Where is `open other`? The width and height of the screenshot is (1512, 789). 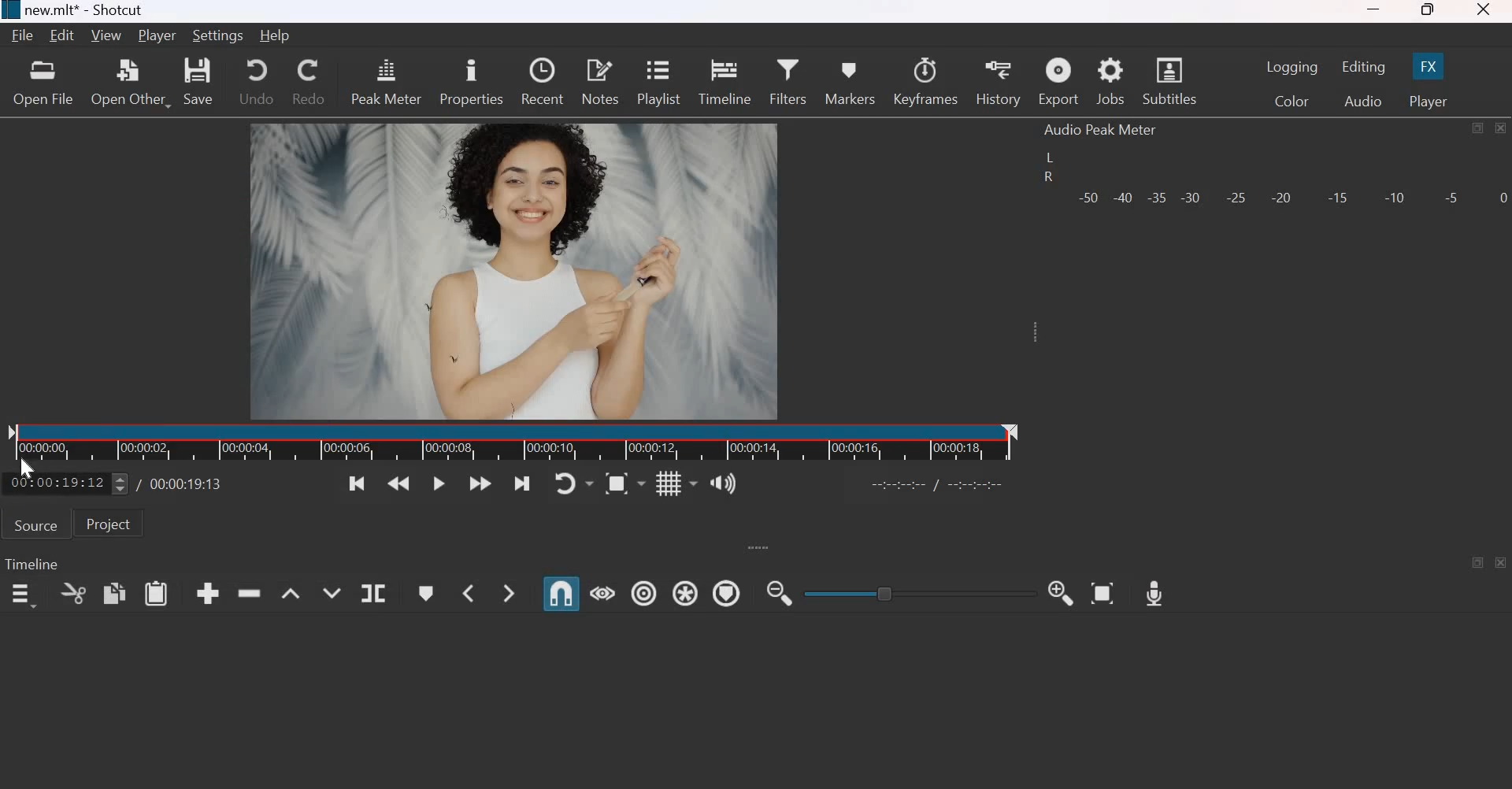
open other is located at coordinates (129, 82).